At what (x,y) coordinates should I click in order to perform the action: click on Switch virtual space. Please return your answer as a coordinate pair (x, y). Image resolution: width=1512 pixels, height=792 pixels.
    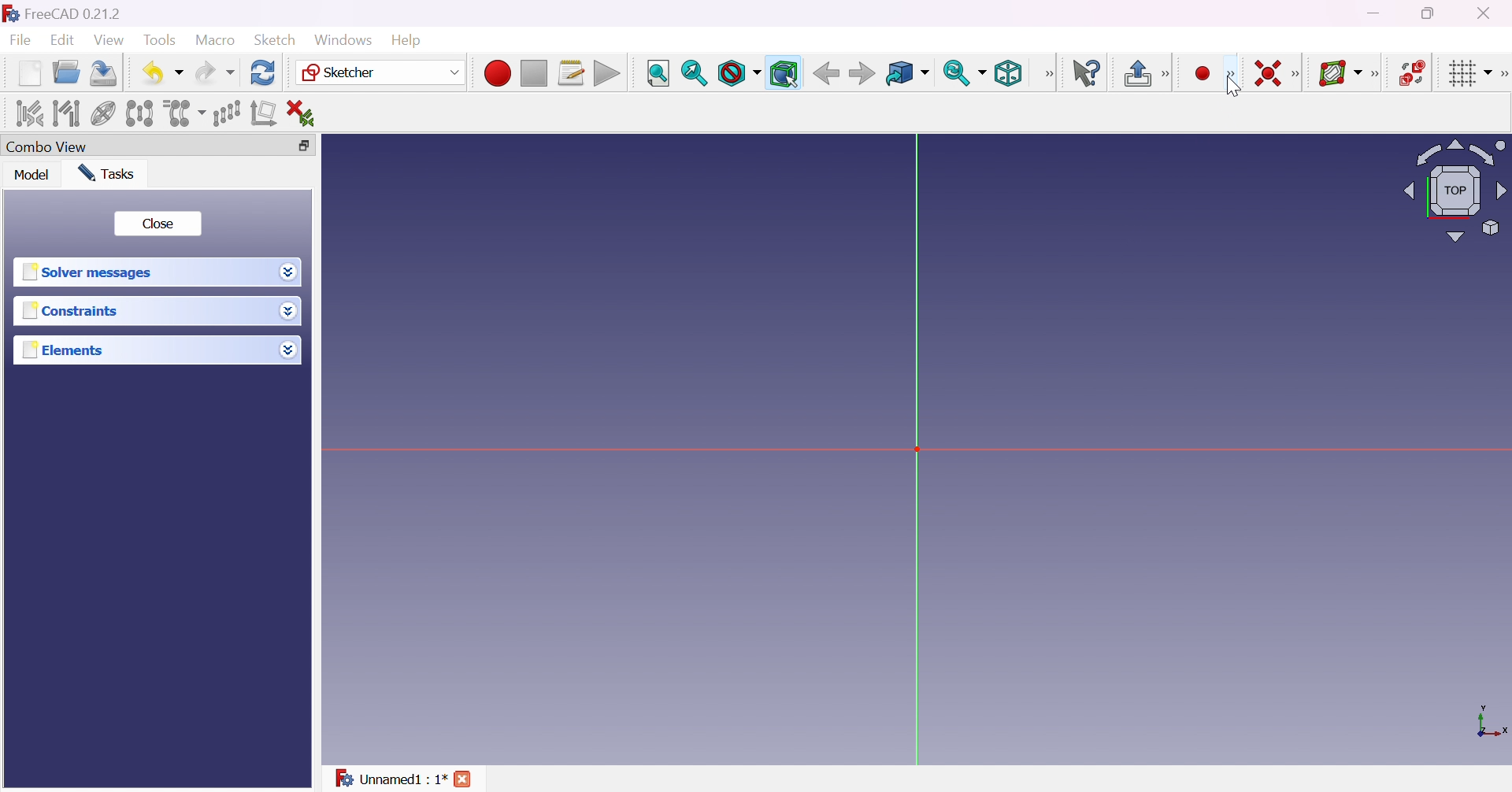
    Looking at the image, I should click on (1415, 72).